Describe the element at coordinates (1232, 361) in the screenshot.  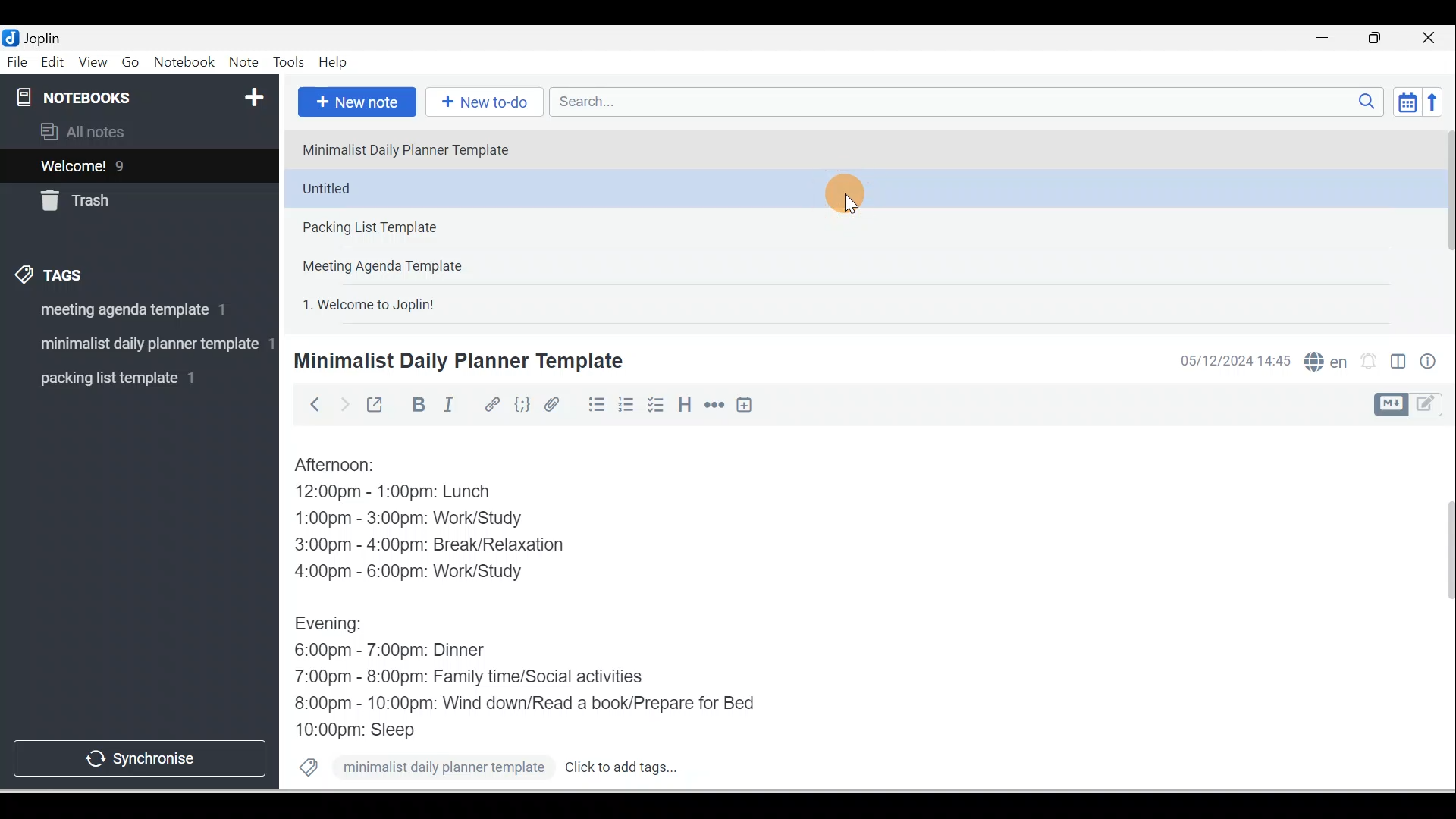
I see `Date & time` at that location.